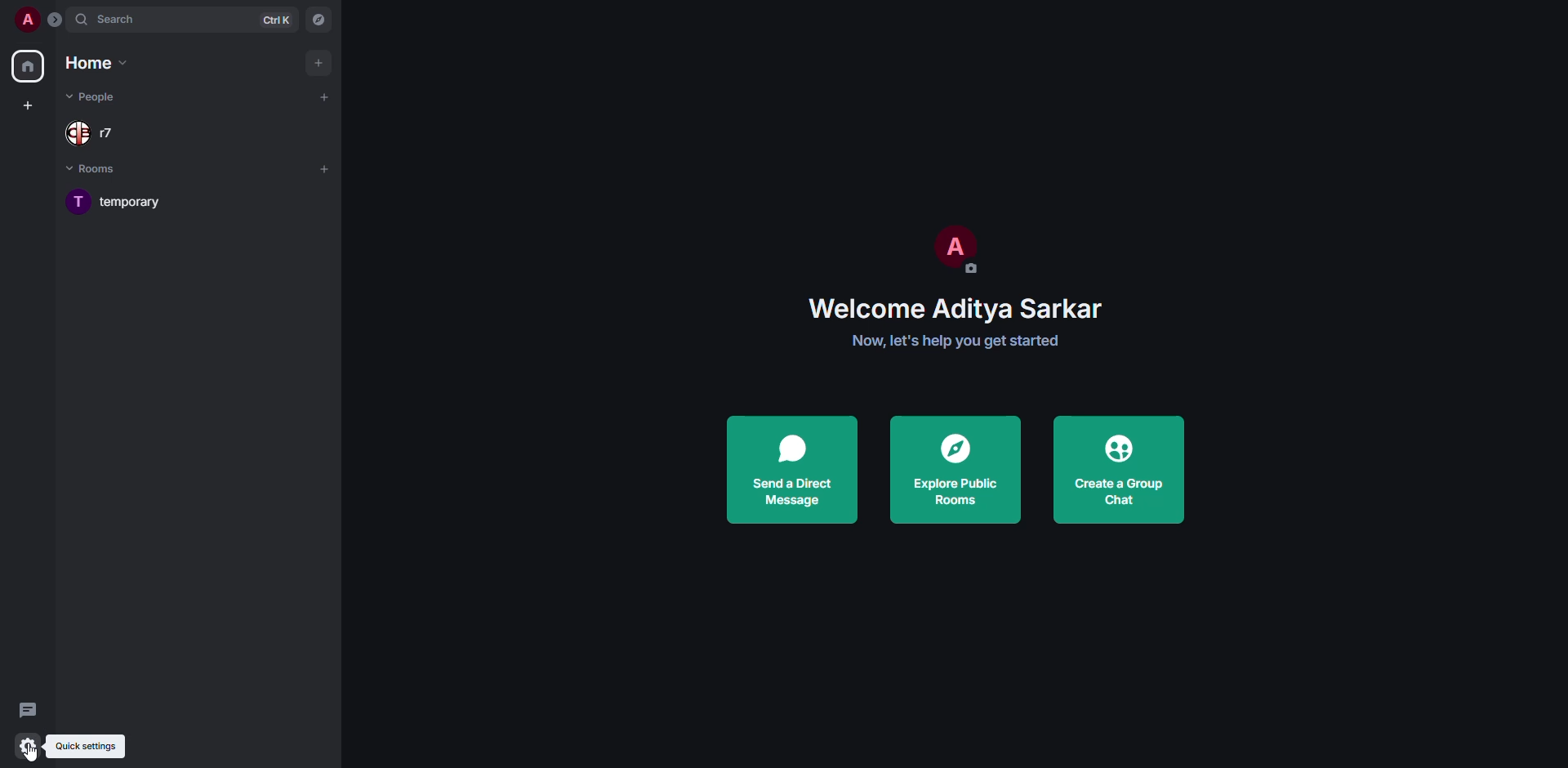 The height and width of the screenshot is (768, 1568). I want to click on people, so click(103, 135).